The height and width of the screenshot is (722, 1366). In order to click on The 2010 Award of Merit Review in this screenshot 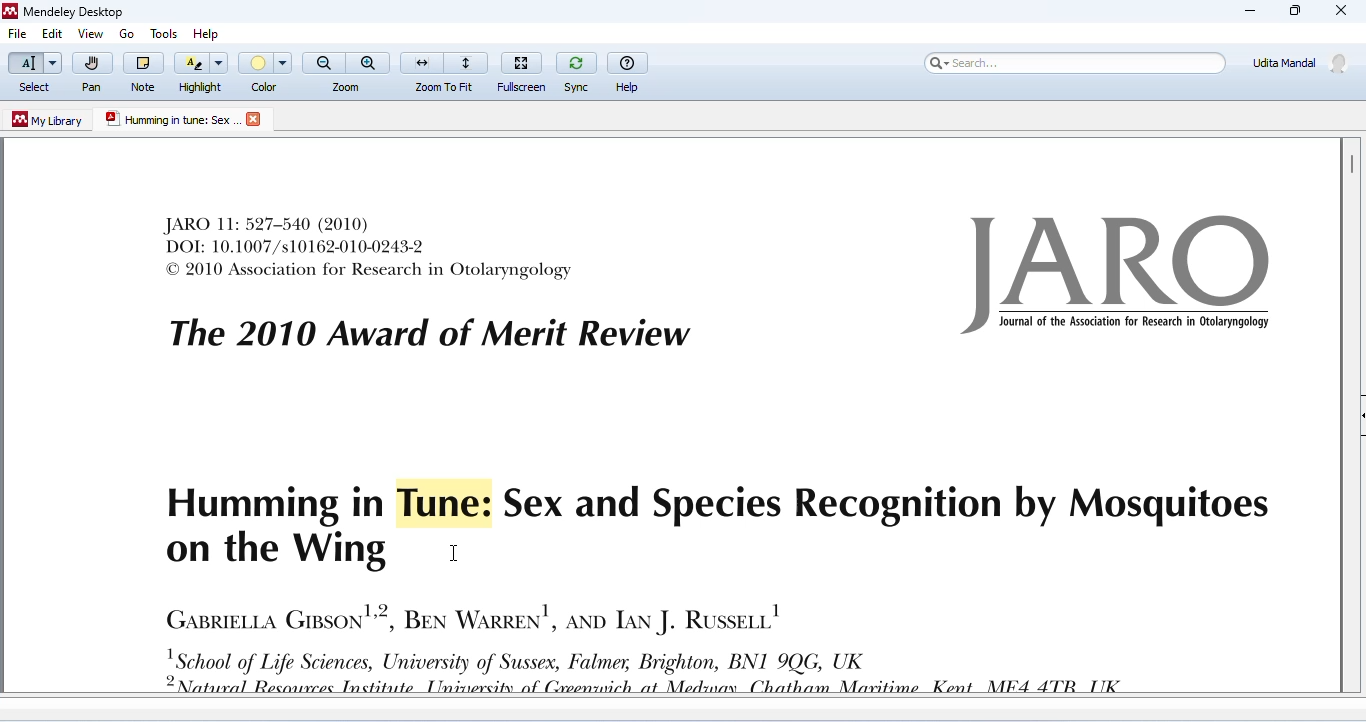, I will do `click(429, 334)`.